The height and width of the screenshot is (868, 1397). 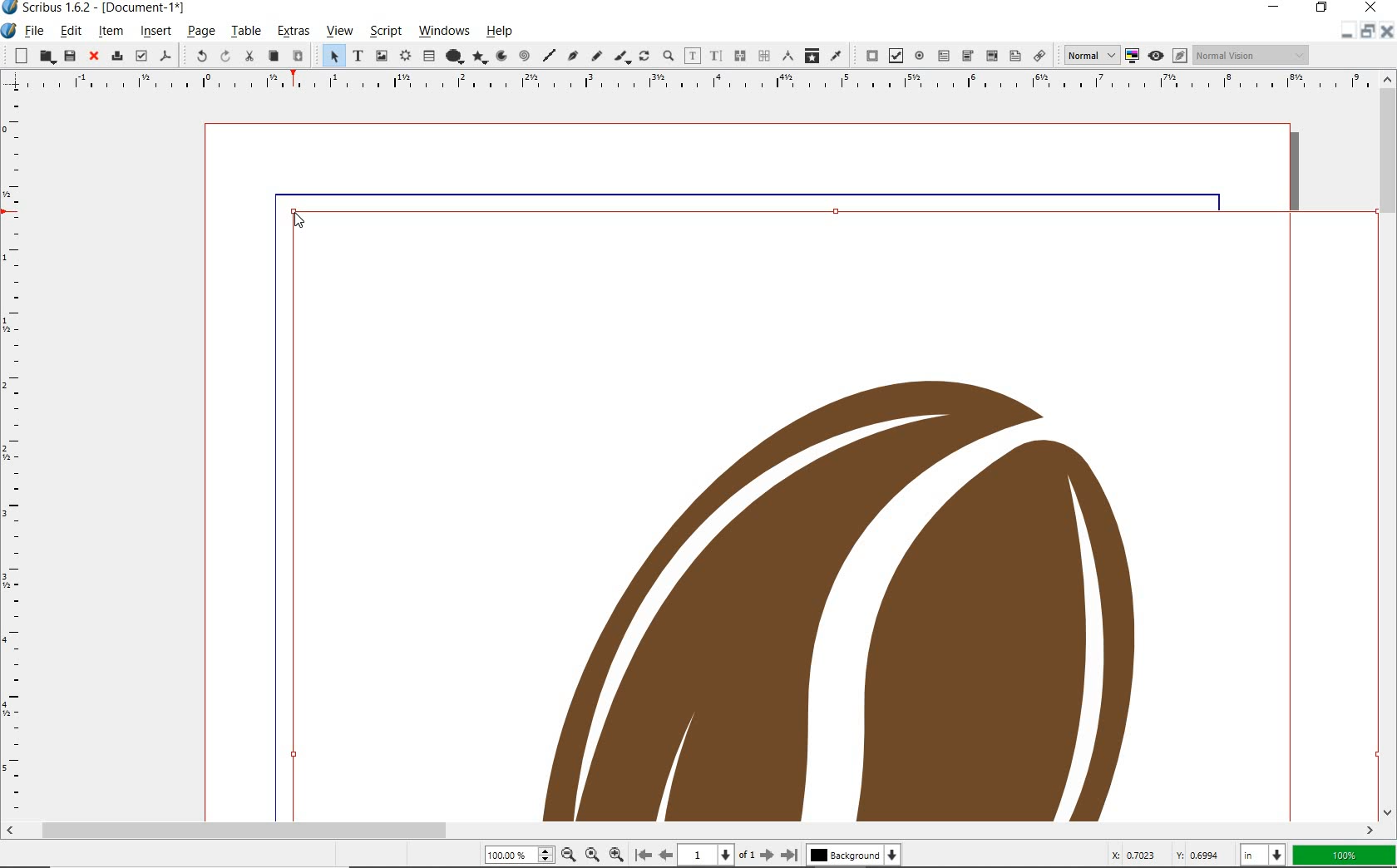 What do you see at coordinates (643, 854) in the screenshot?
I see `First Page` at bounding box center [643, 854].